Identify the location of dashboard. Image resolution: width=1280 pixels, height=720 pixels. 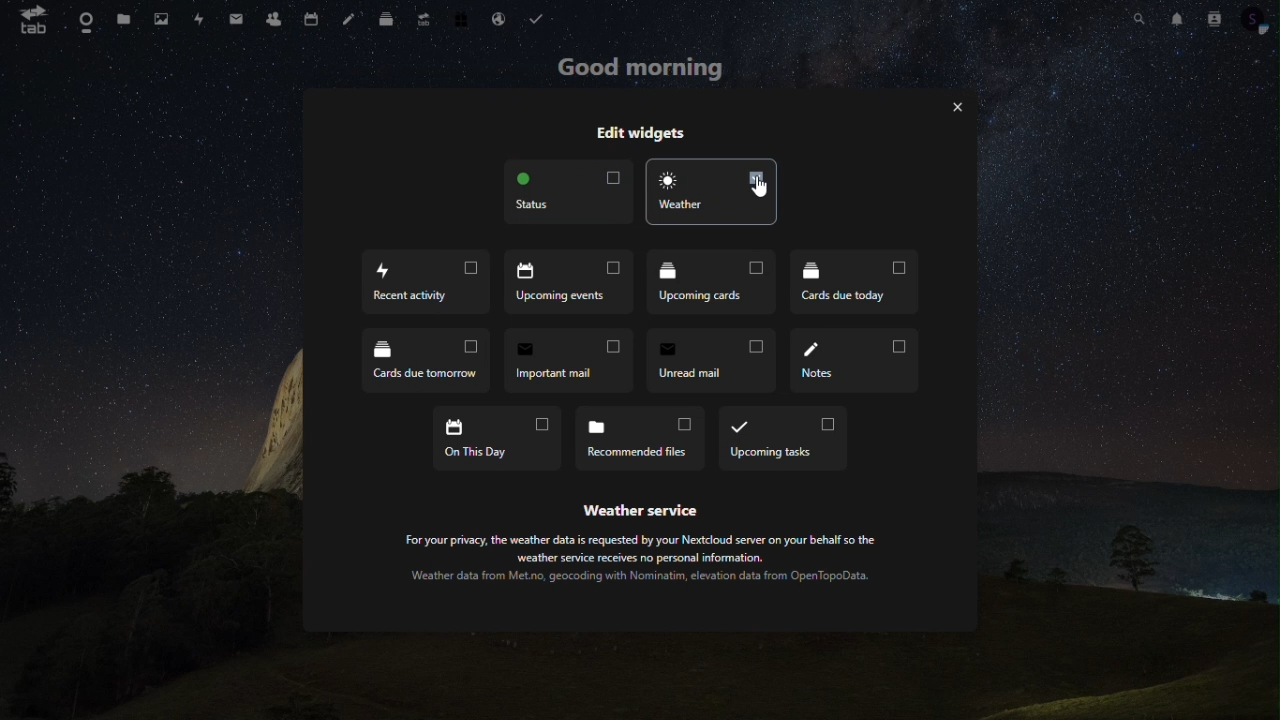
(80, 19).